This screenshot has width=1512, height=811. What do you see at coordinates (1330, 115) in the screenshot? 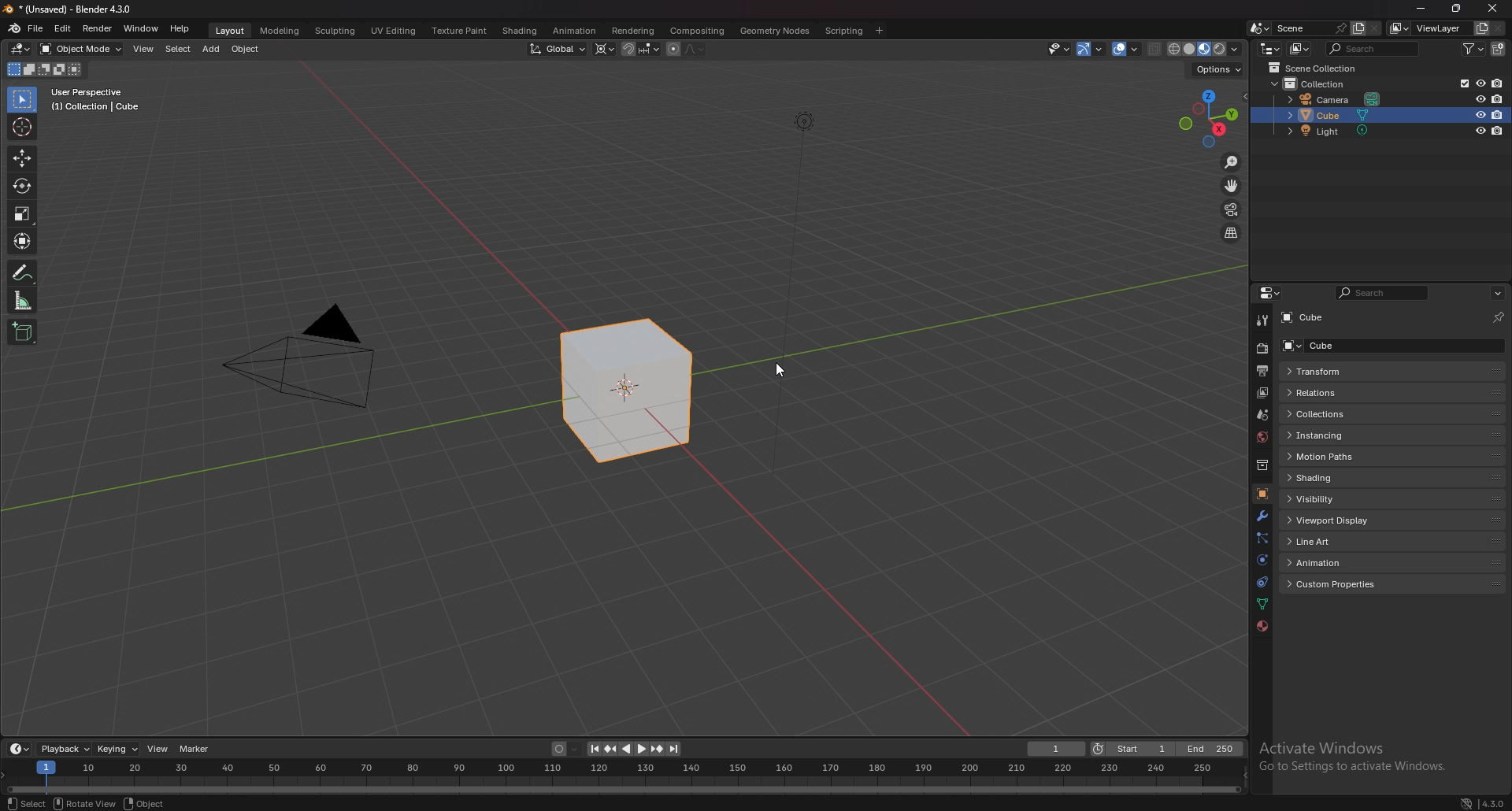
I see `cube` at bounding box center [1330, 115].